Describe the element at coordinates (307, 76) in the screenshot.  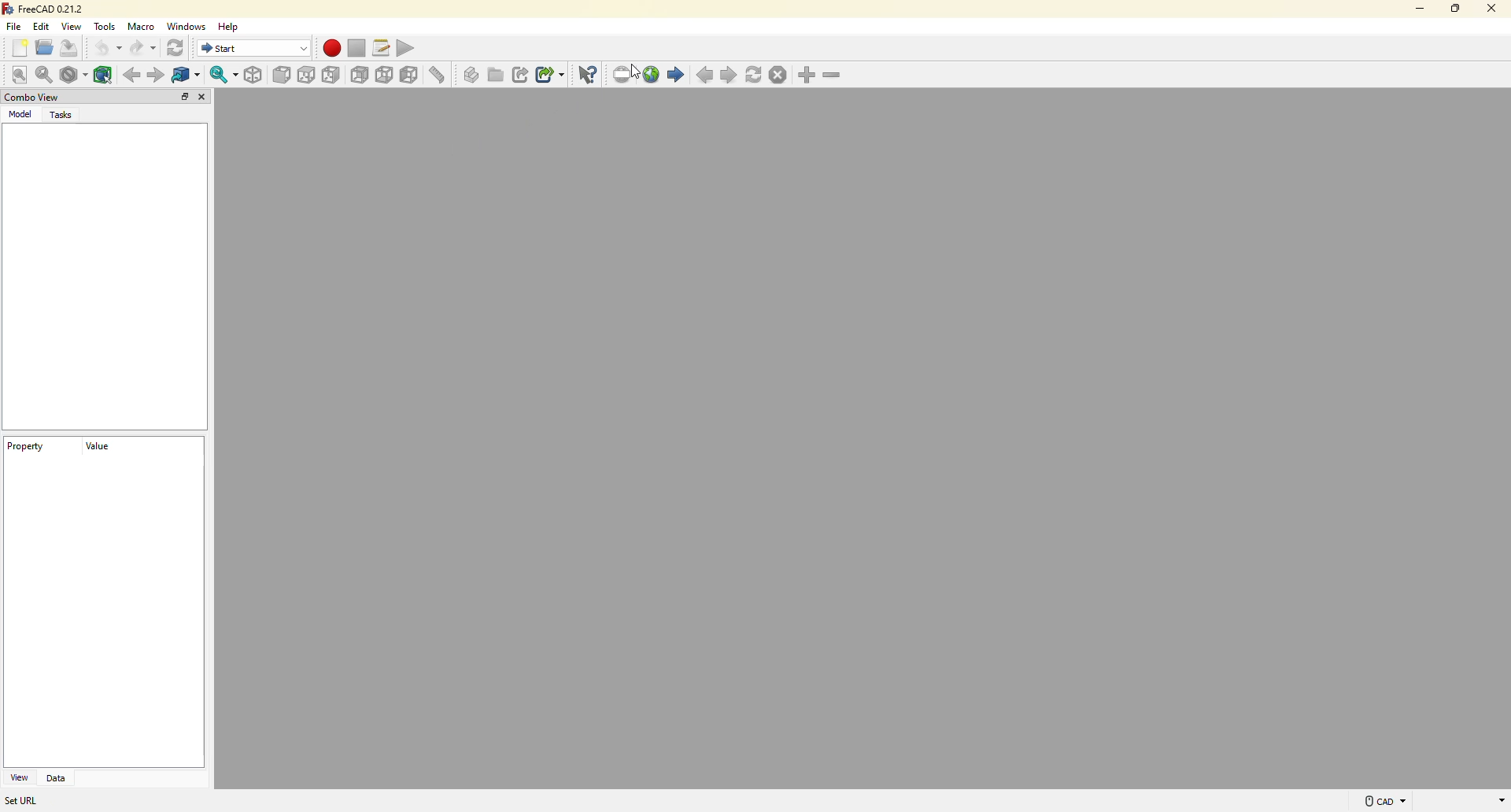
I see `top` at that location.